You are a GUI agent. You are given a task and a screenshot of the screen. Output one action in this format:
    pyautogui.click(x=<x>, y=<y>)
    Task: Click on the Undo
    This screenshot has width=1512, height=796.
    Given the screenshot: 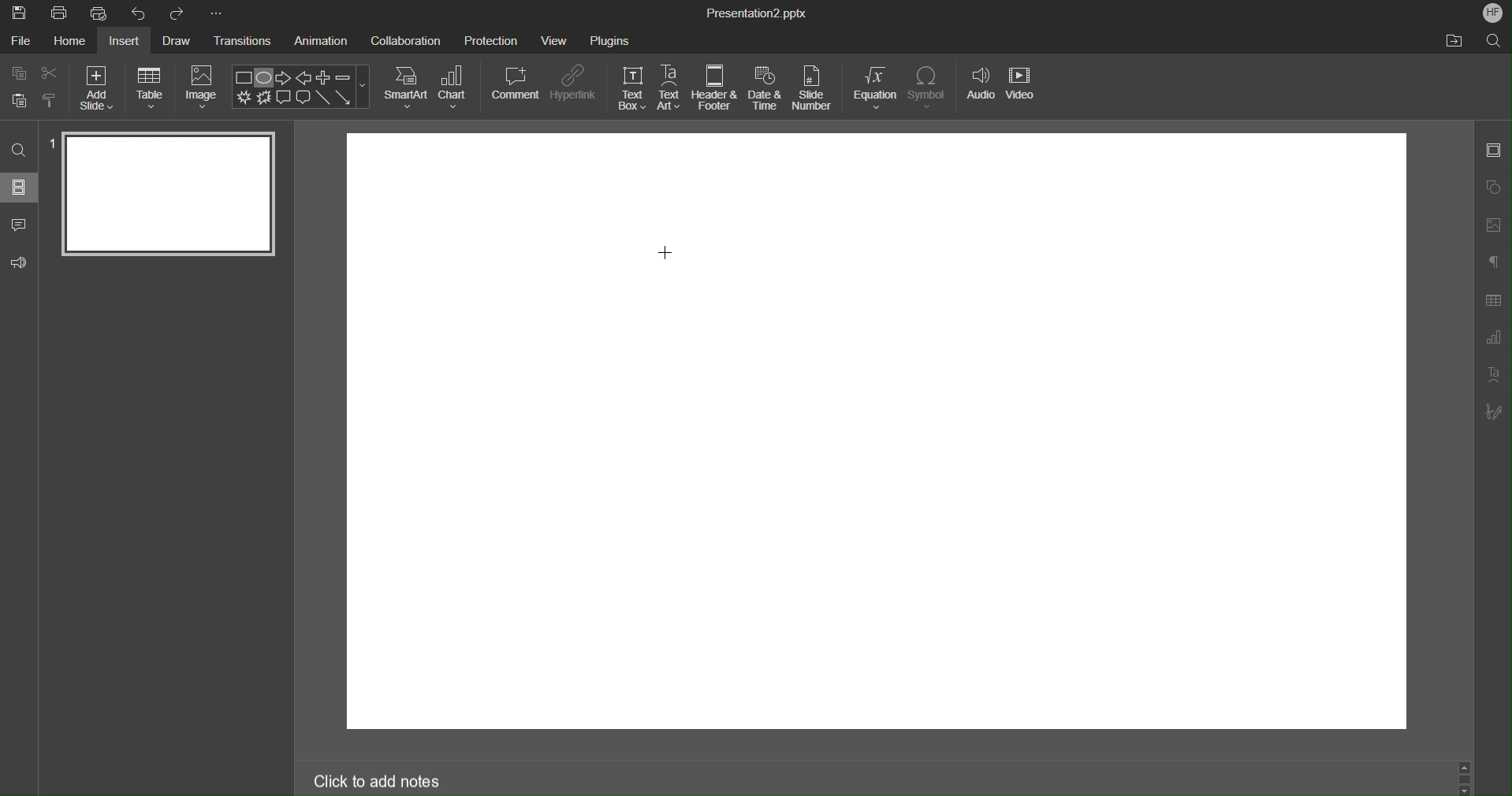 What is the action you would take?
    pyautogui.click(x=142, y=13)
    